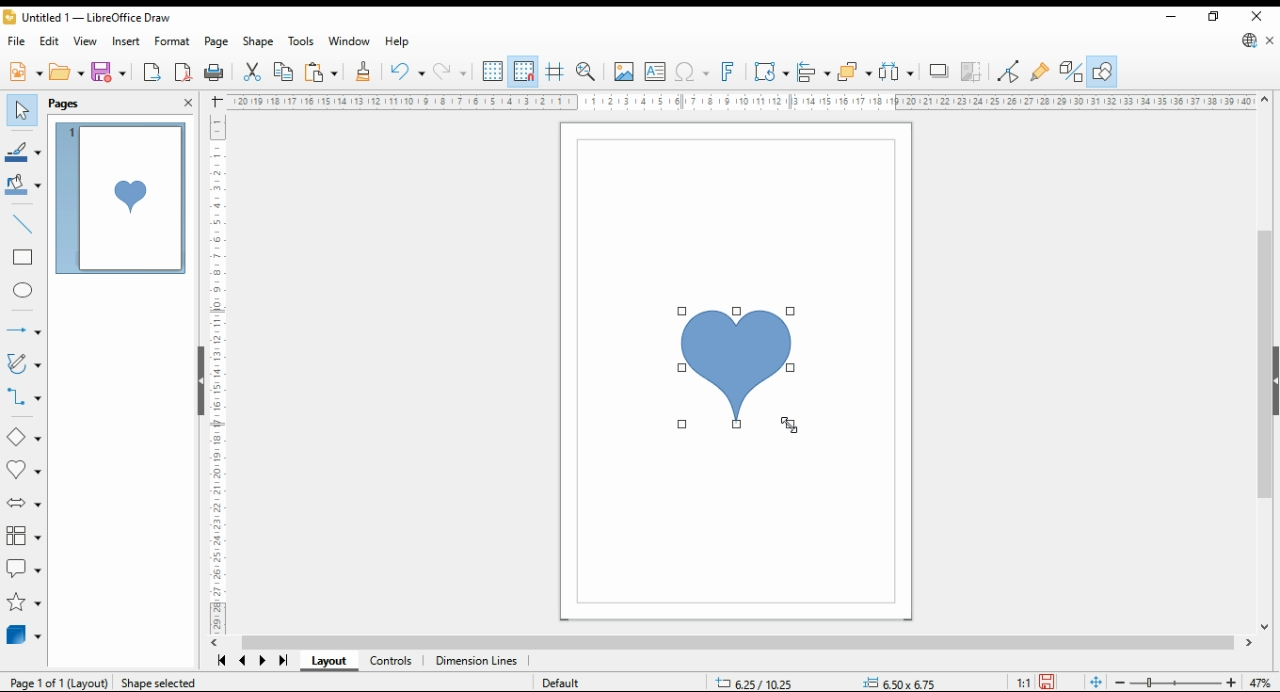 This screenshot has height=692, width=1280. Describe the element at coordinates (1266, 360) in the screenshot. I see `scroll bar` at that location.